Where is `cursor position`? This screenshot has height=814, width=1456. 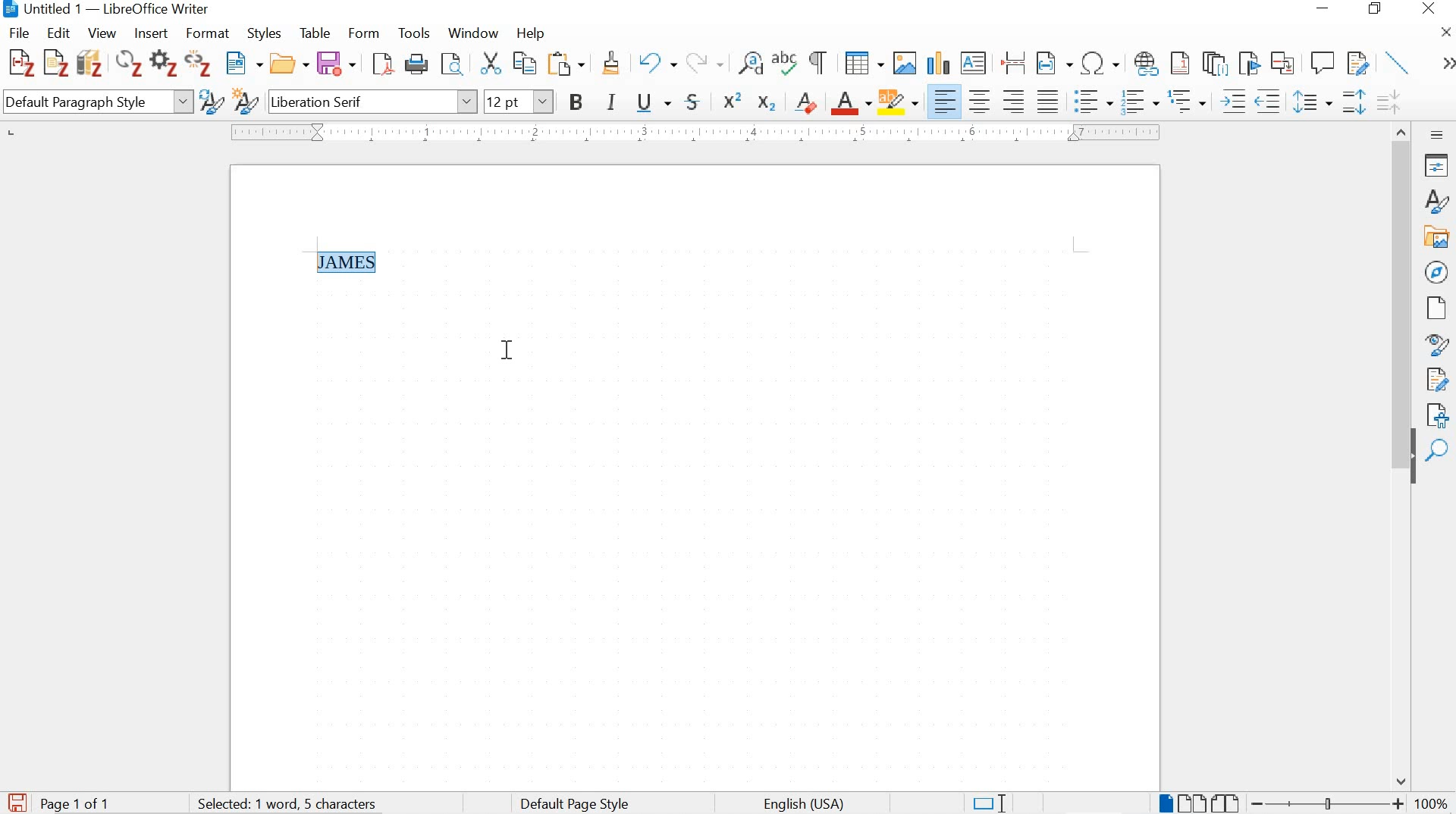 cursor position is located at coordinates (508, 349).